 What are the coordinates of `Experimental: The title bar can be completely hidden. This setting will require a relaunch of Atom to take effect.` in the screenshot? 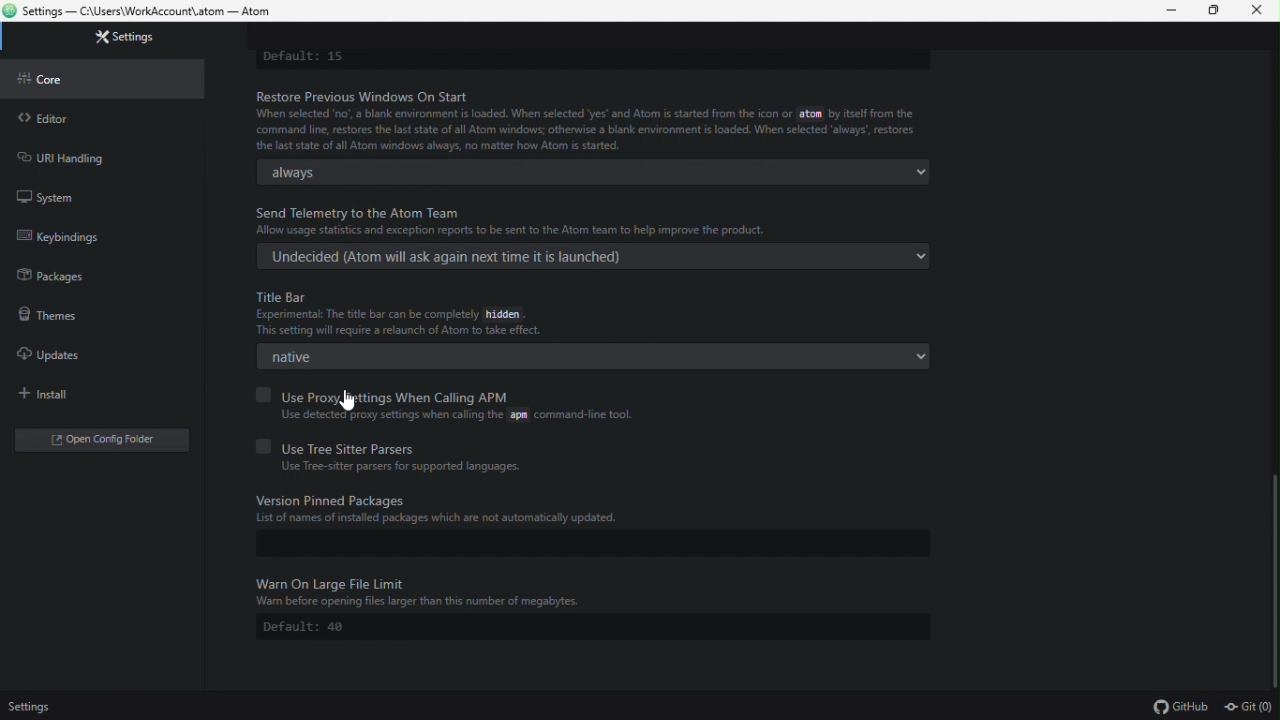 It's located at (402, 323).